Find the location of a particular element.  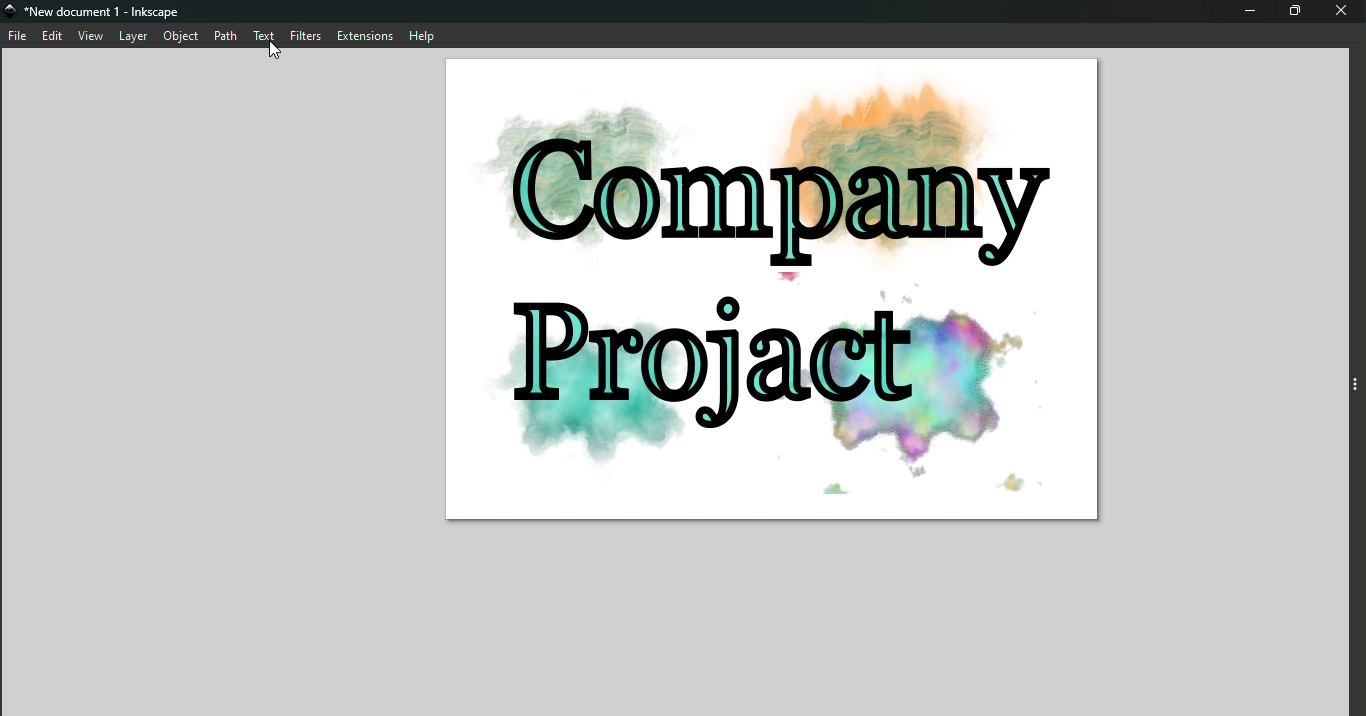

Maximize is located at coordinates (1298, 12).